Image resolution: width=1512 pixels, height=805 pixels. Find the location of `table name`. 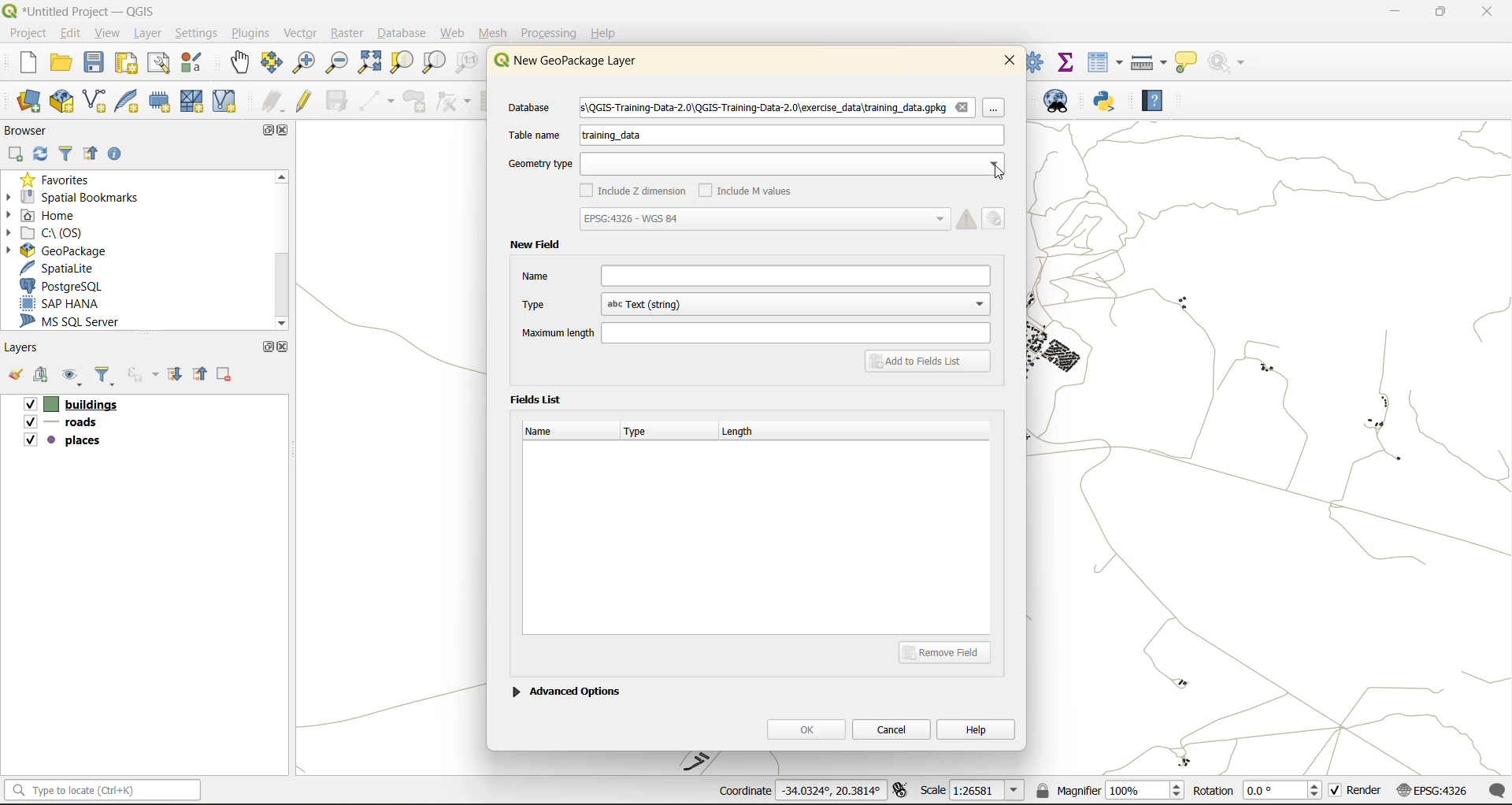

table name is located at coordinates (535, 135).